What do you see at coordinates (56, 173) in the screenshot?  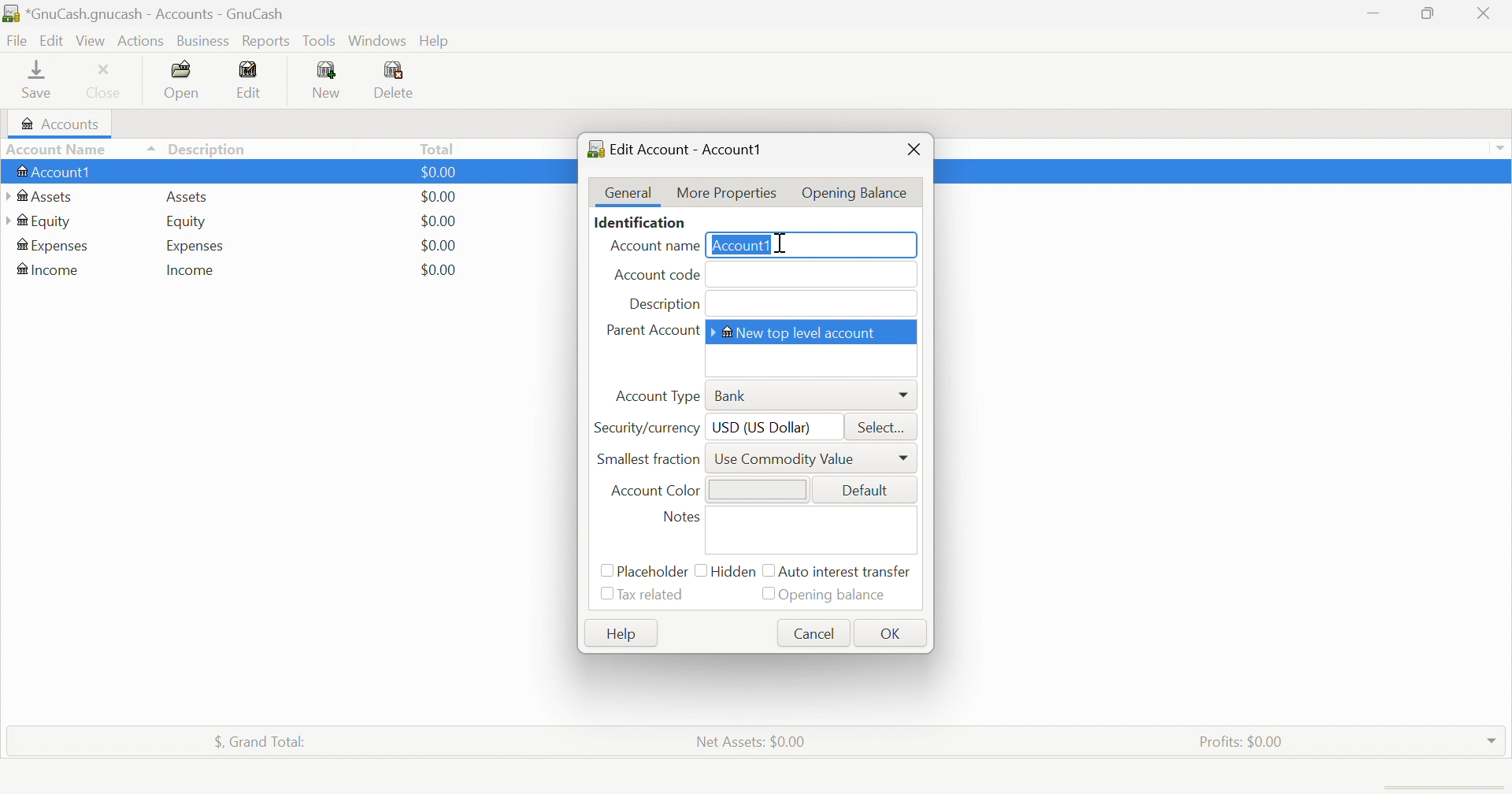 I see `Account1` at bounding box center [56, 173].